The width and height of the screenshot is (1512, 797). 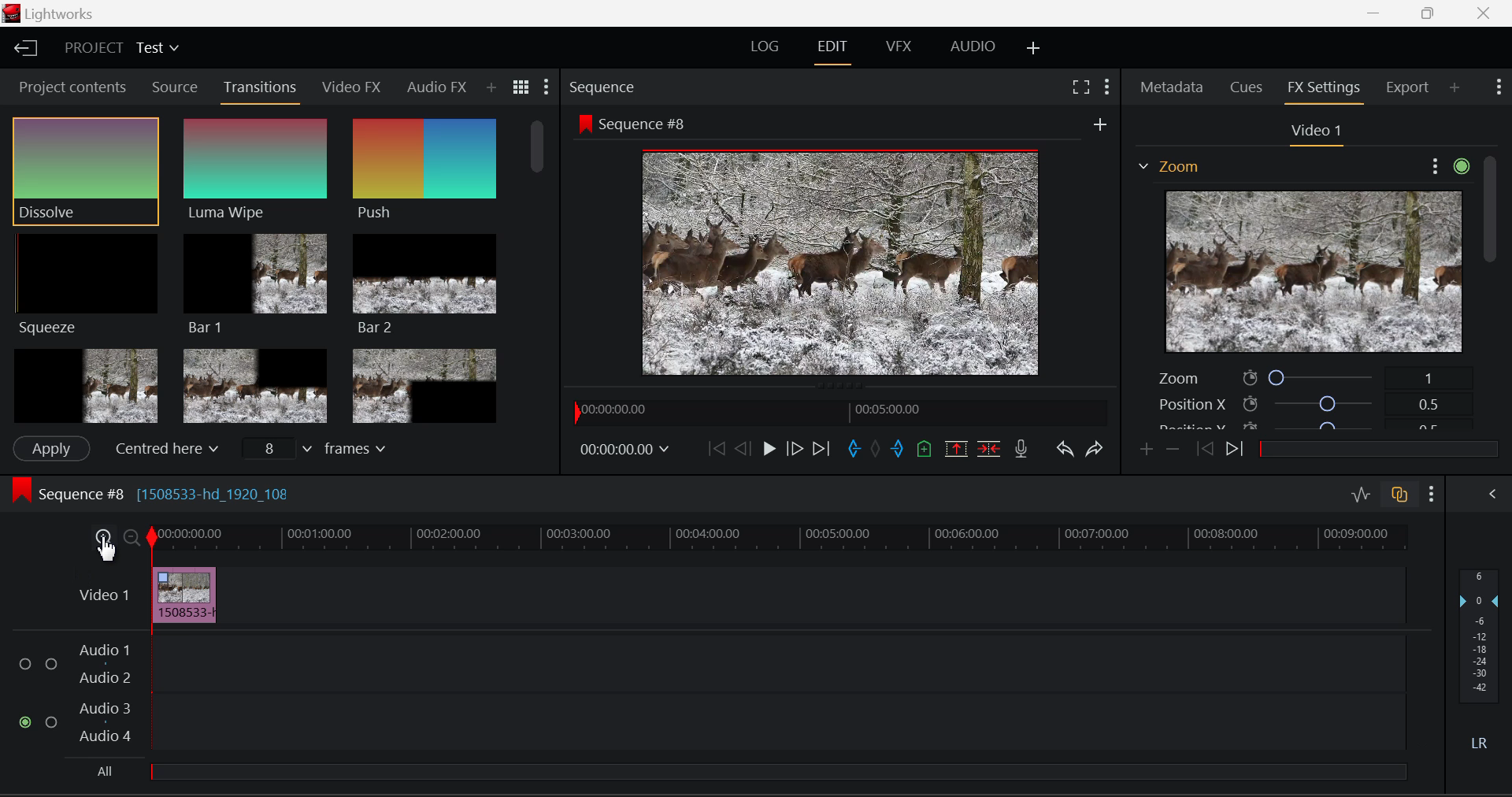 What do you see at coordinates (925, 452) in the screenshot?
I see `Mark Cue` at bounding box center [925, 452].